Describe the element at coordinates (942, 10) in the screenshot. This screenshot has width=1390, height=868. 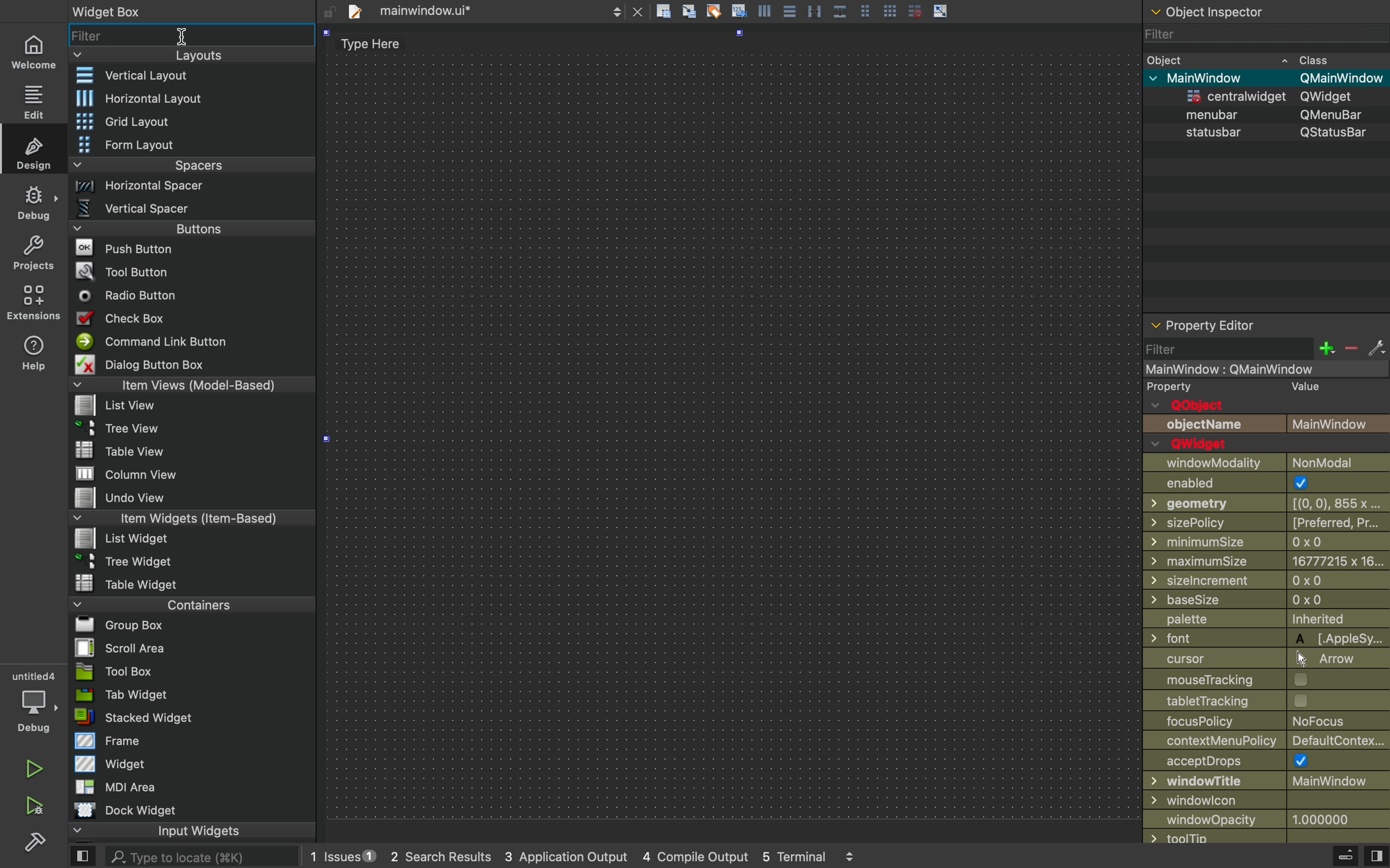
I see `arrow` at that location.